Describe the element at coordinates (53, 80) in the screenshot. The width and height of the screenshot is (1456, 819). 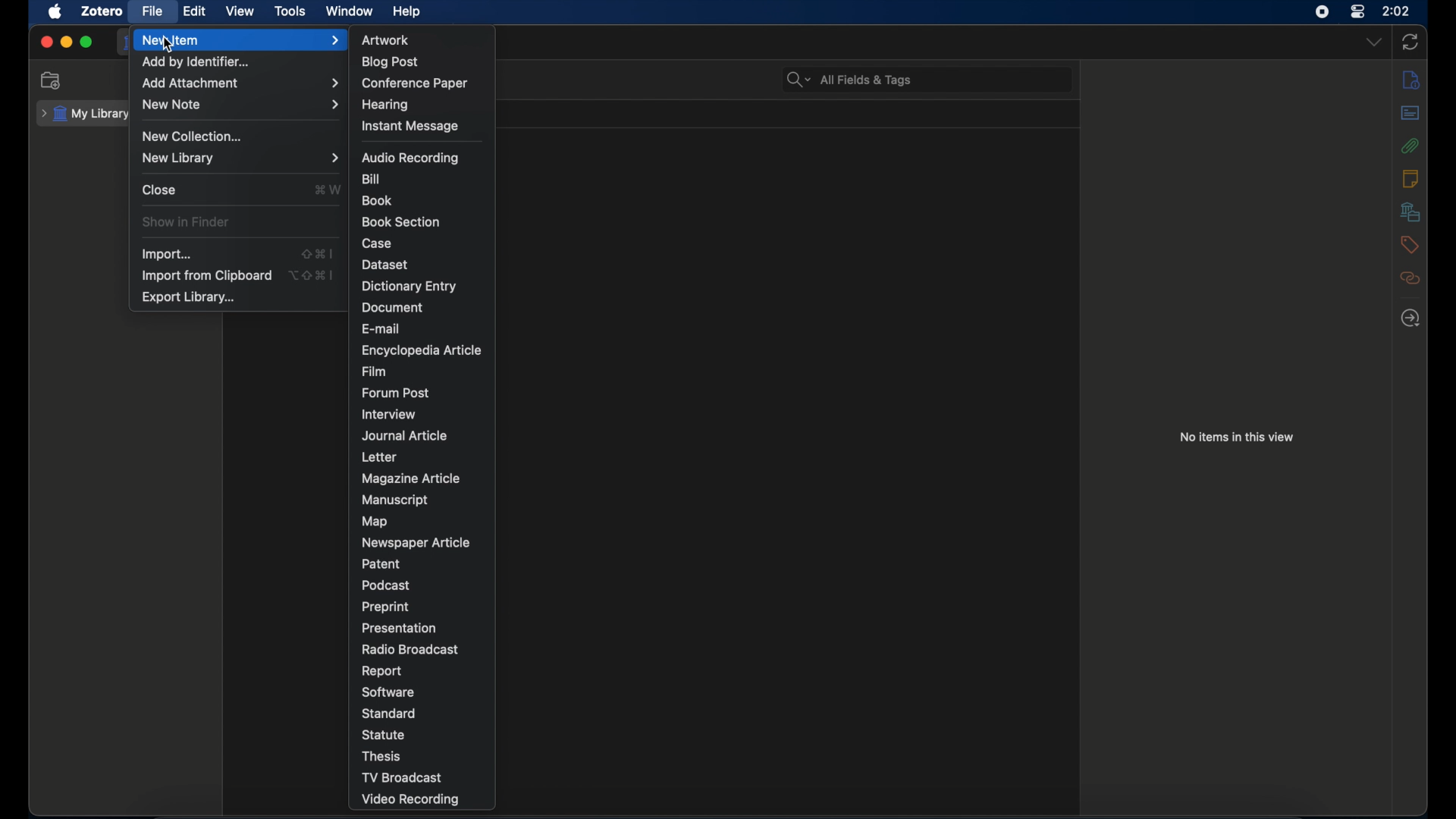
I see `new collection` at that location.